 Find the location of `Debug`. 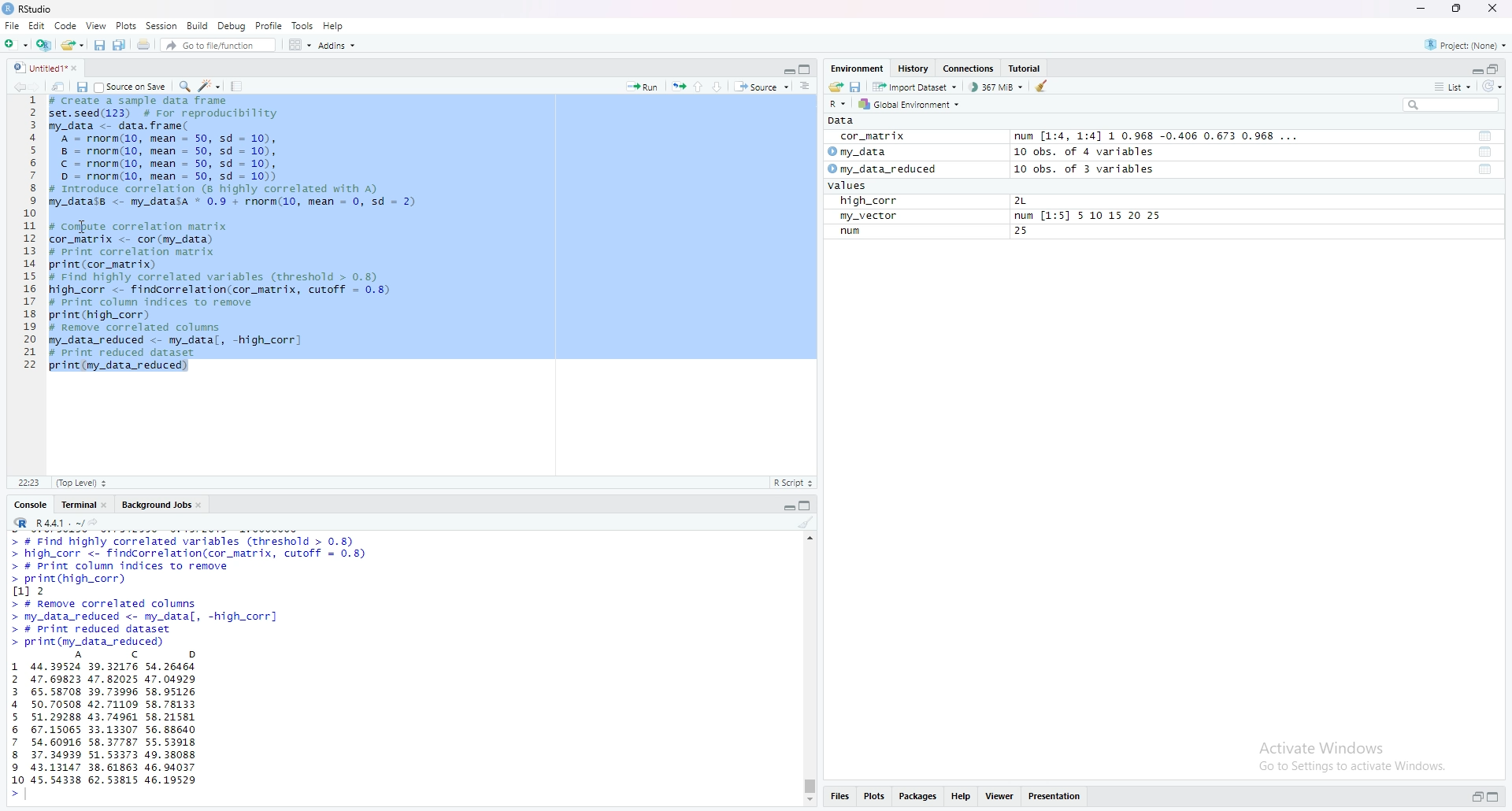

Debug is located at coordinates (233, 26).